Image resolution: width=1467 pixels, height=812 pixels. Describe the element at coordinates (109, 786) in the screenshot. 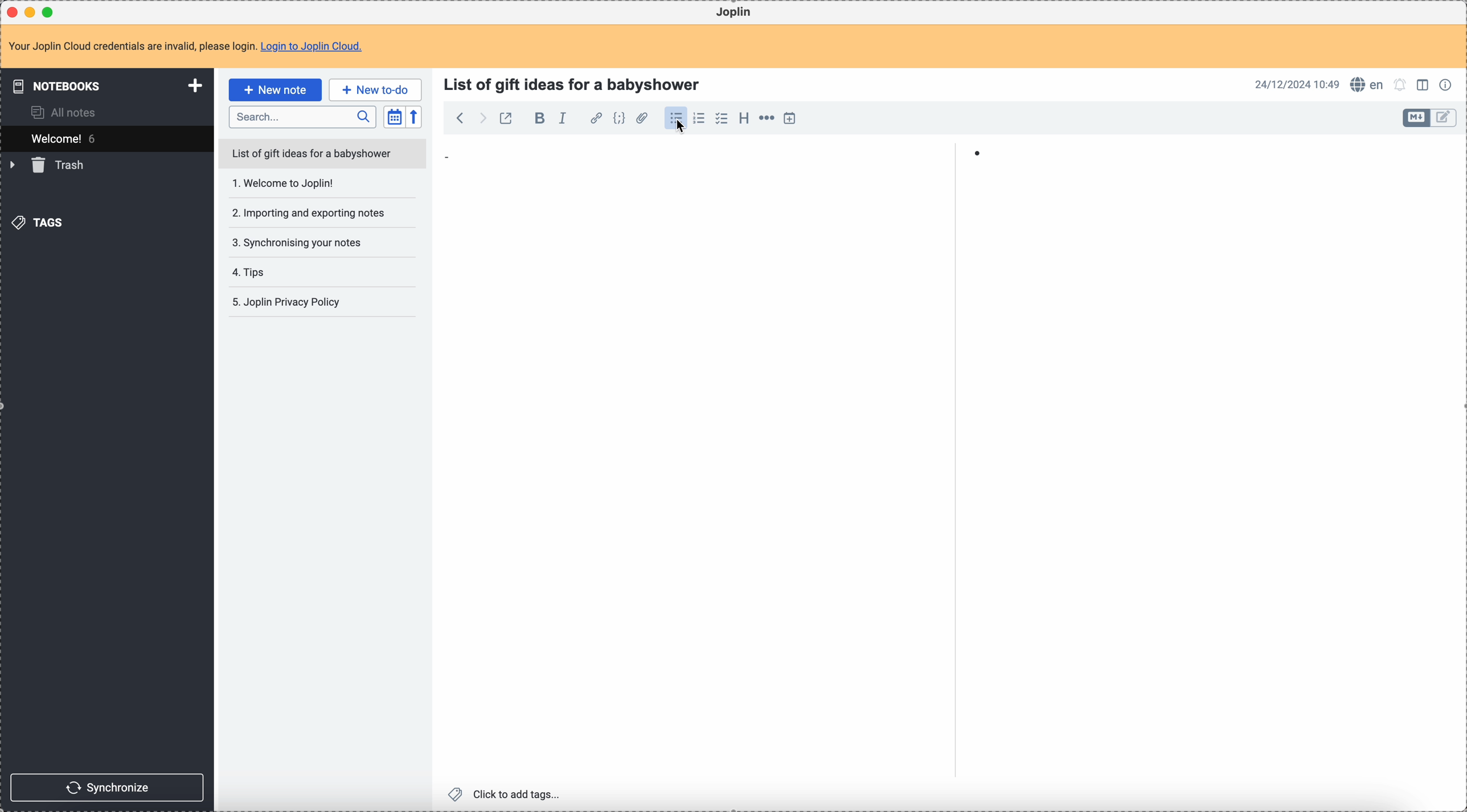

I see `synchronize` at that location.